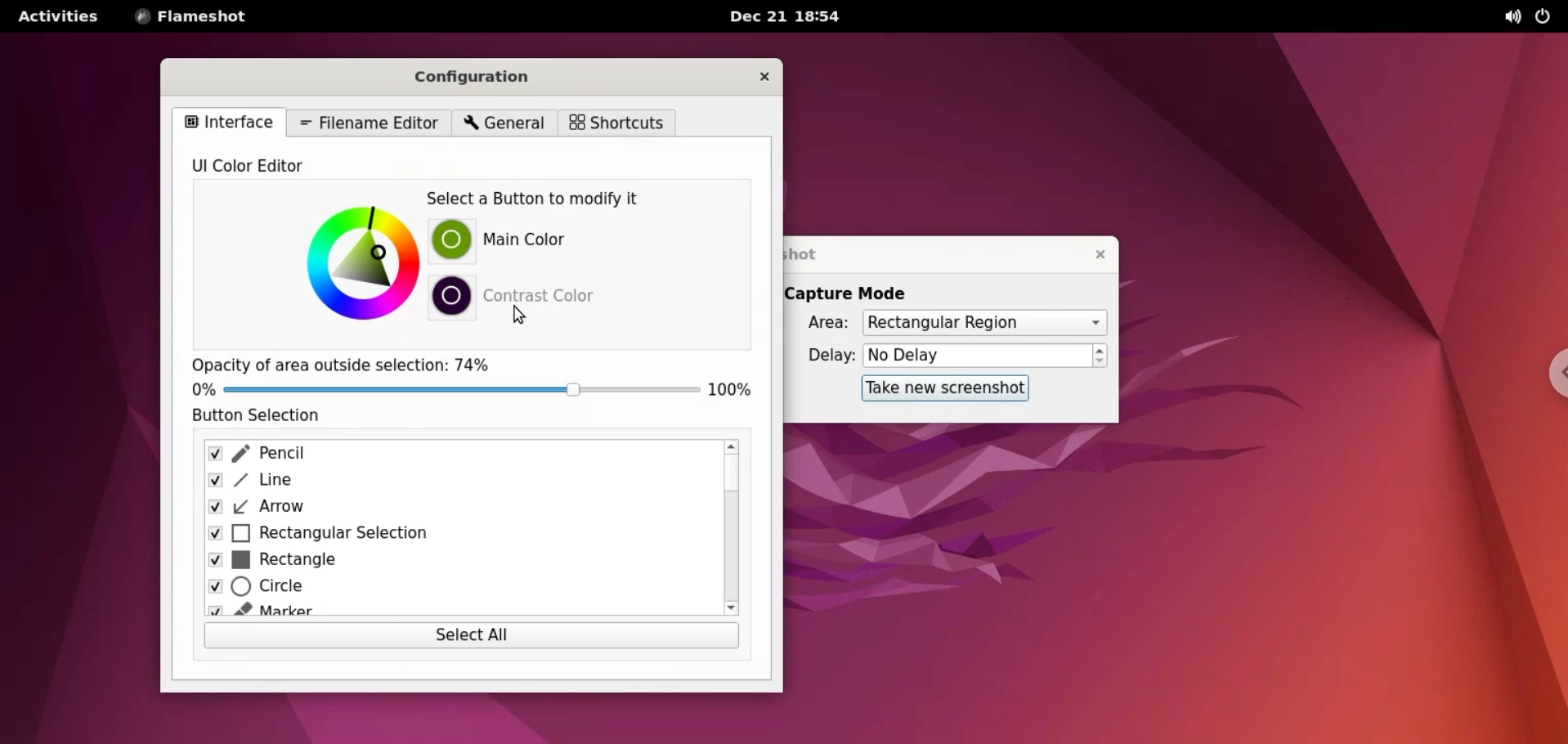 The width and height of the screenshot is (1568, 744). I want to click on opacity of area outside selection: 74%, so click(365, 362).